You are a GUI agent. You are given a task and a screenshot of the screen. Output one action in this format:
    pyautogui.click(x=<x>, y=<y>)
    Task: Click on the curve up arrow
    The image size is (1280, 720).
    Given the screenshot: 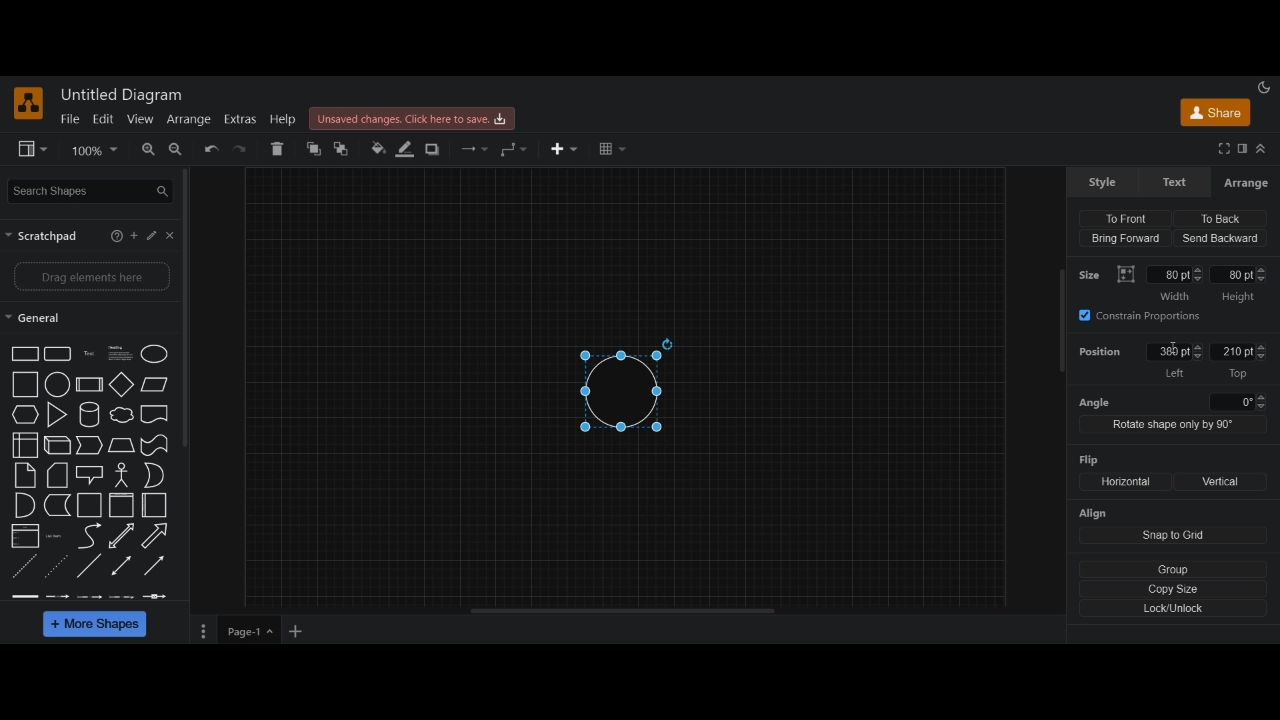 What is the action you would take?
    pyautogui.click(x=156, y=536)
    